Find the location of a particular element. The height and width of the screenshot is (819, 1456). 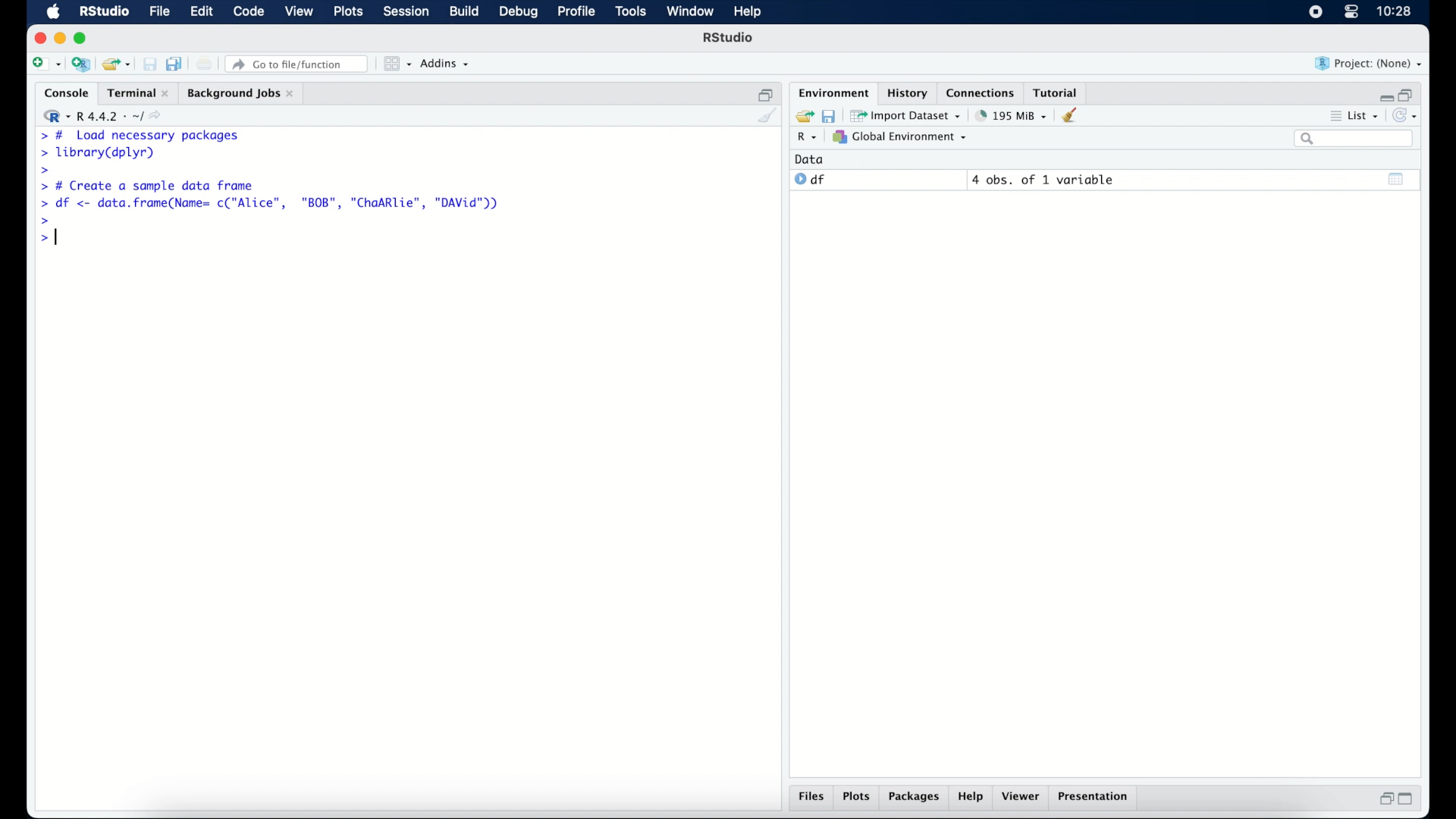

viewer is located at coordinates (1024, 798).